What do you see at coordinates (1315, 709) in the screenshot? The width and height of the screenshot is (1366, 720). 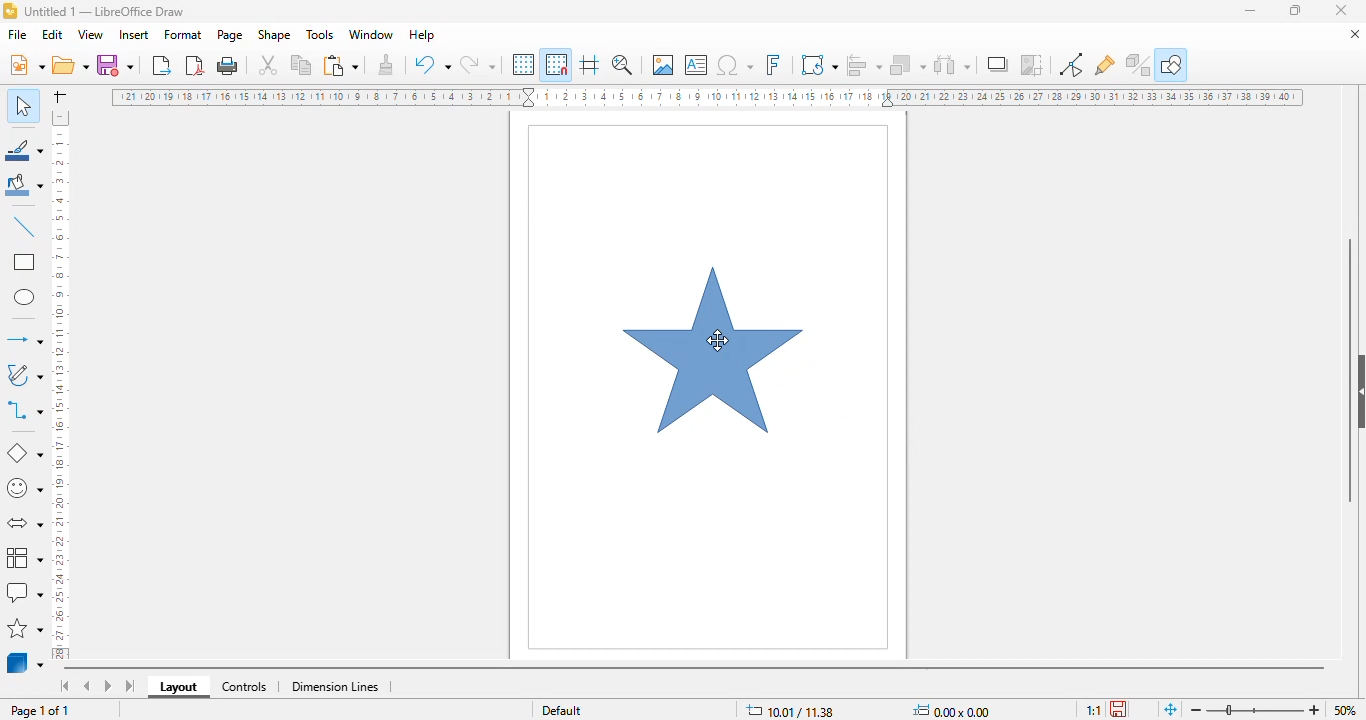 I see `zoom out` at bounding box center [1315, 709].